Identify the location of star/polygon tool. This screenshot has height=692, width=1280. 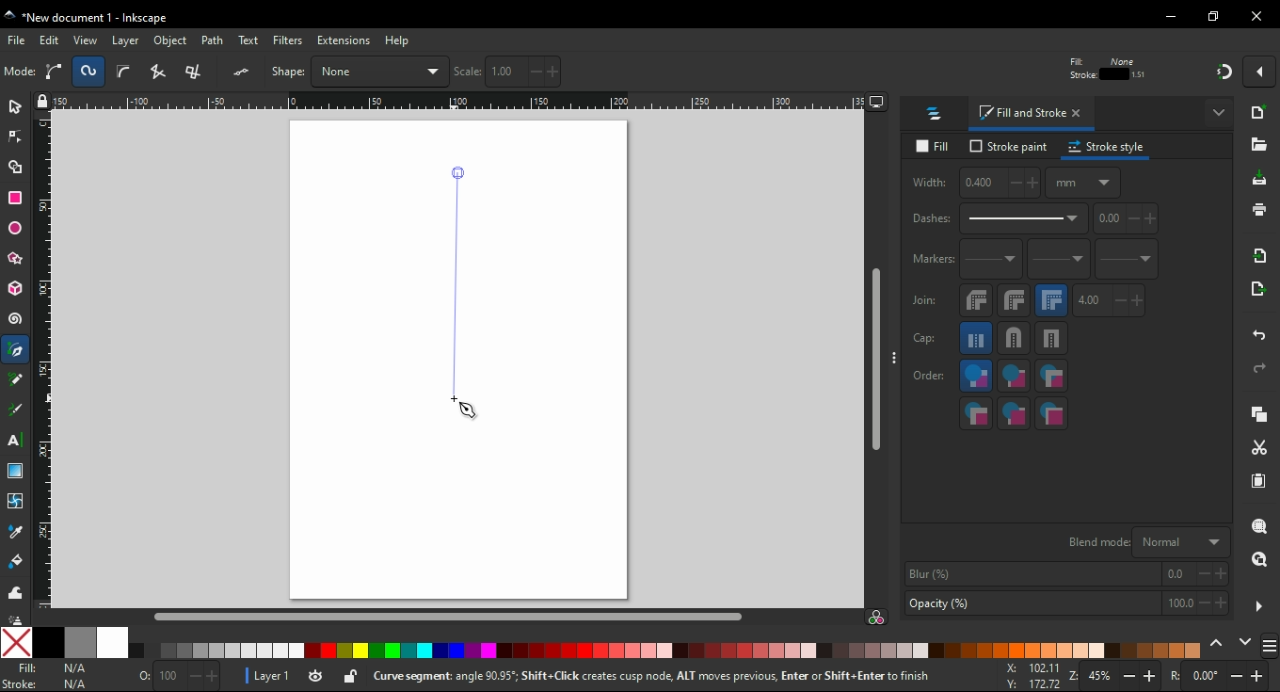
(17, 258).